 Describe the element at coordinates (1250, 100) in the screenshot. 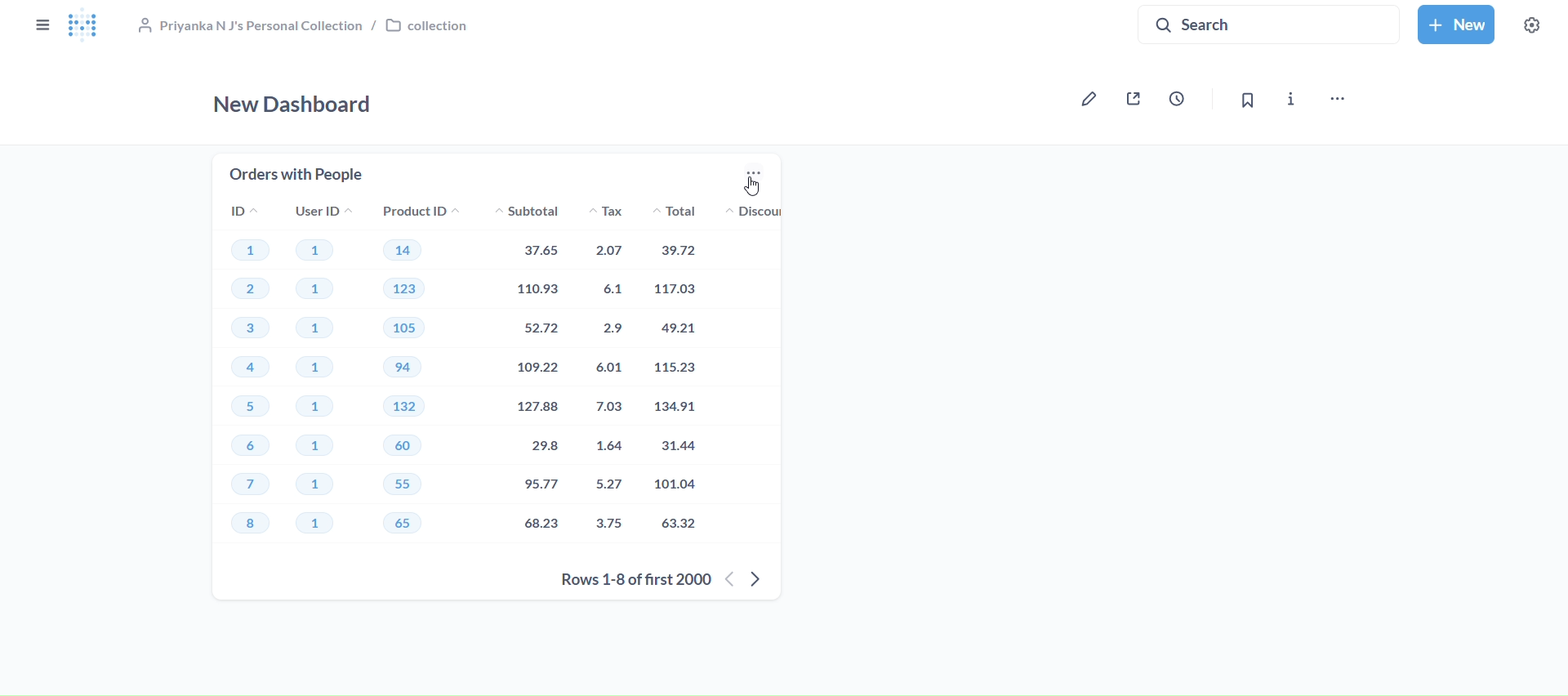

I see `bookmark` at that location.